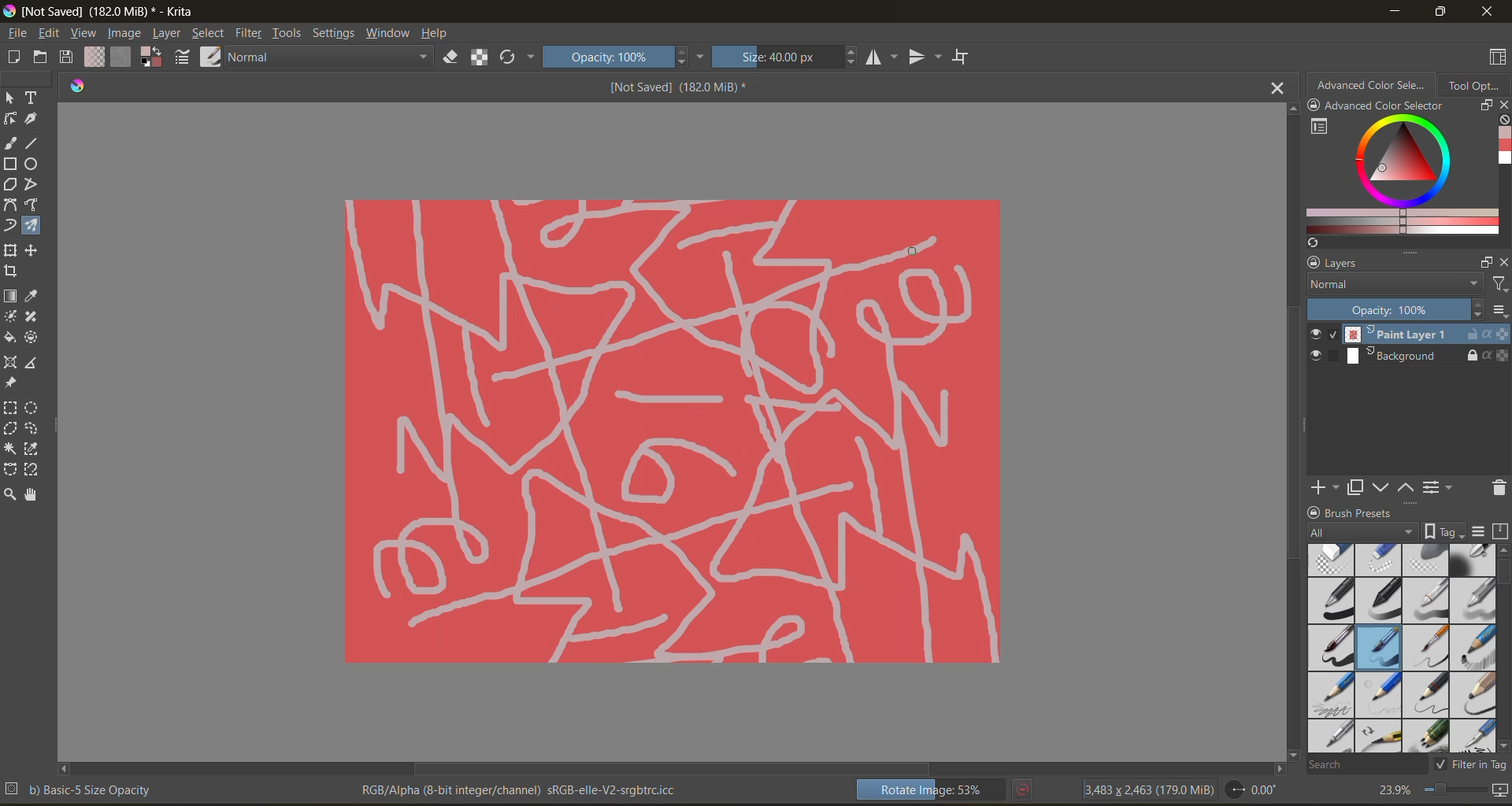 The image size is (1512, 806). Describe the element at coordinates (1477, 86) in the screenshot. I see `tool options` at that location.